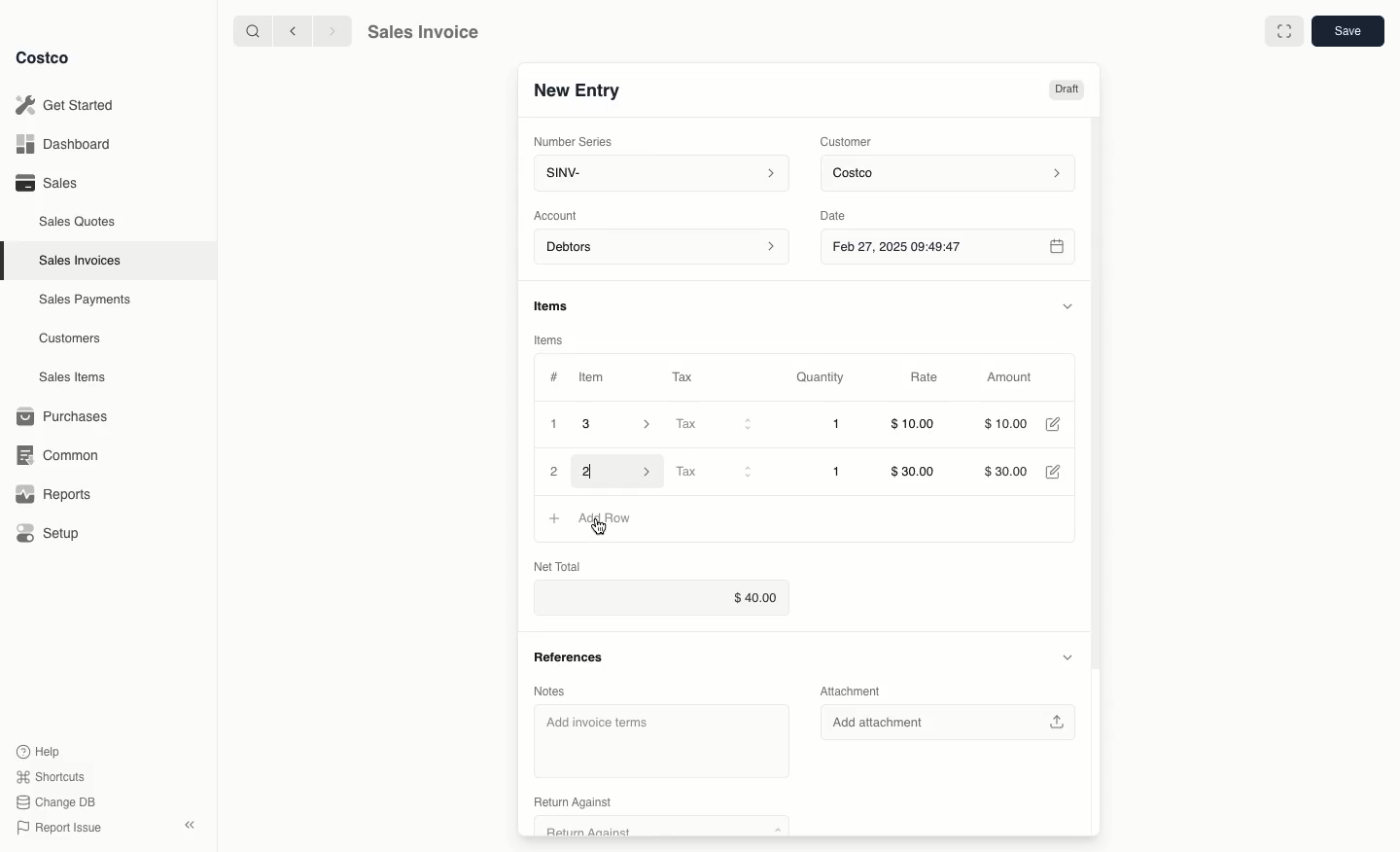  I want to click on Sales Invoice, so click(422, 32).